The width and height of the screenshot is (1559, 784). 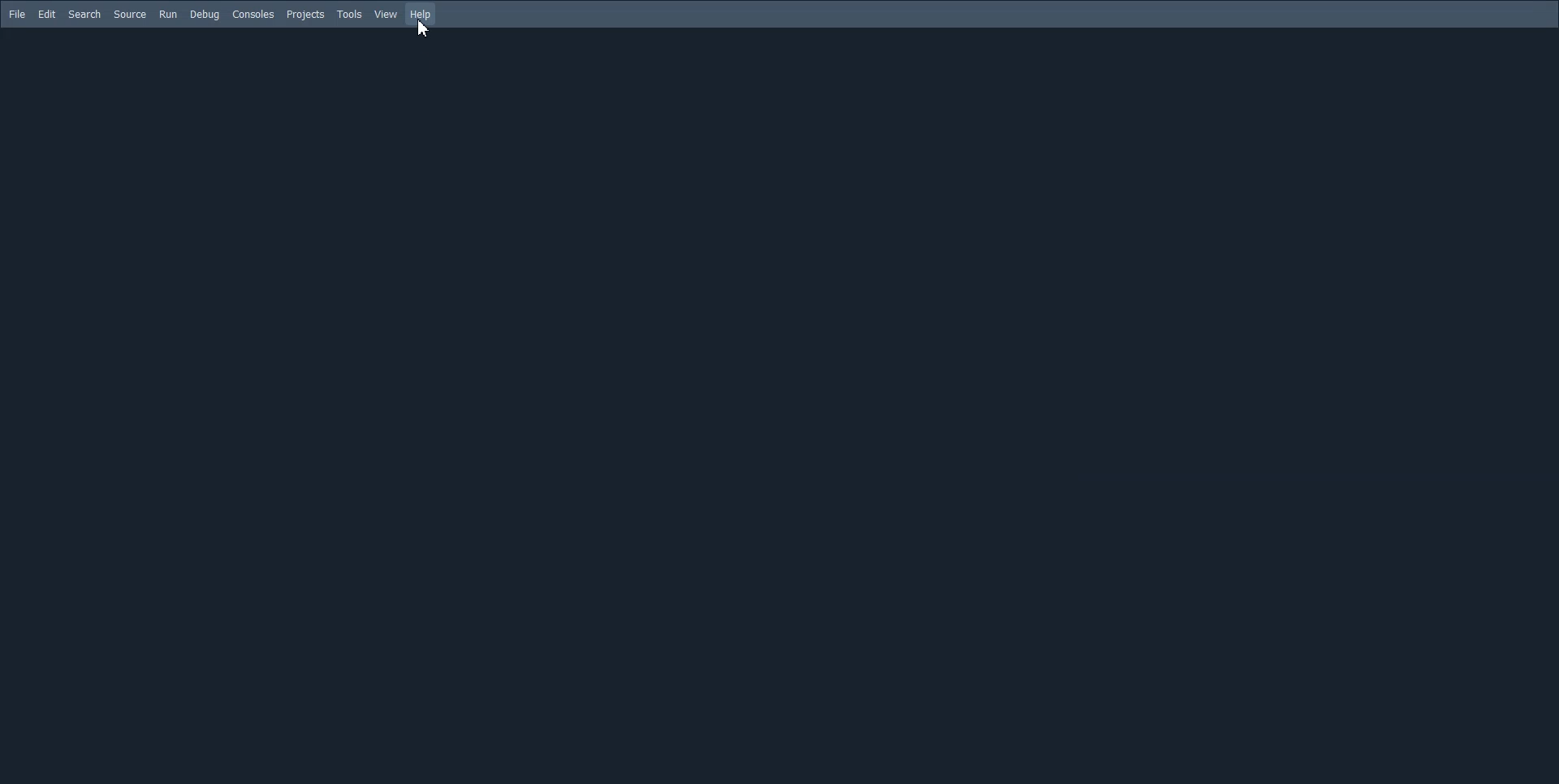 I want to click on File, so click(x=17, y=14).